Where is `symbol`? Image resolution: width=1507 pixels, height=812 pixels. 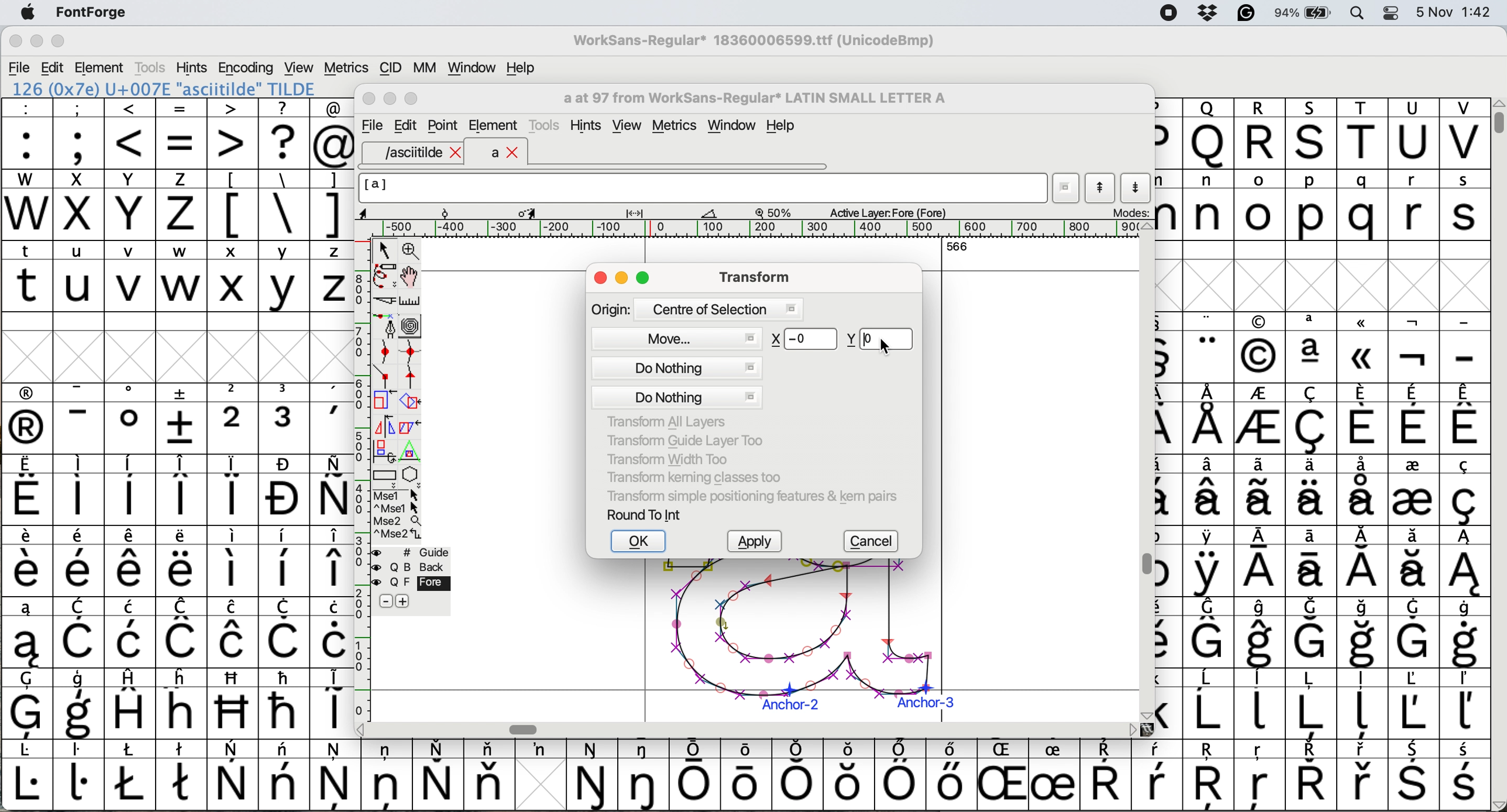
symbol is located at coordinates (593, 776).